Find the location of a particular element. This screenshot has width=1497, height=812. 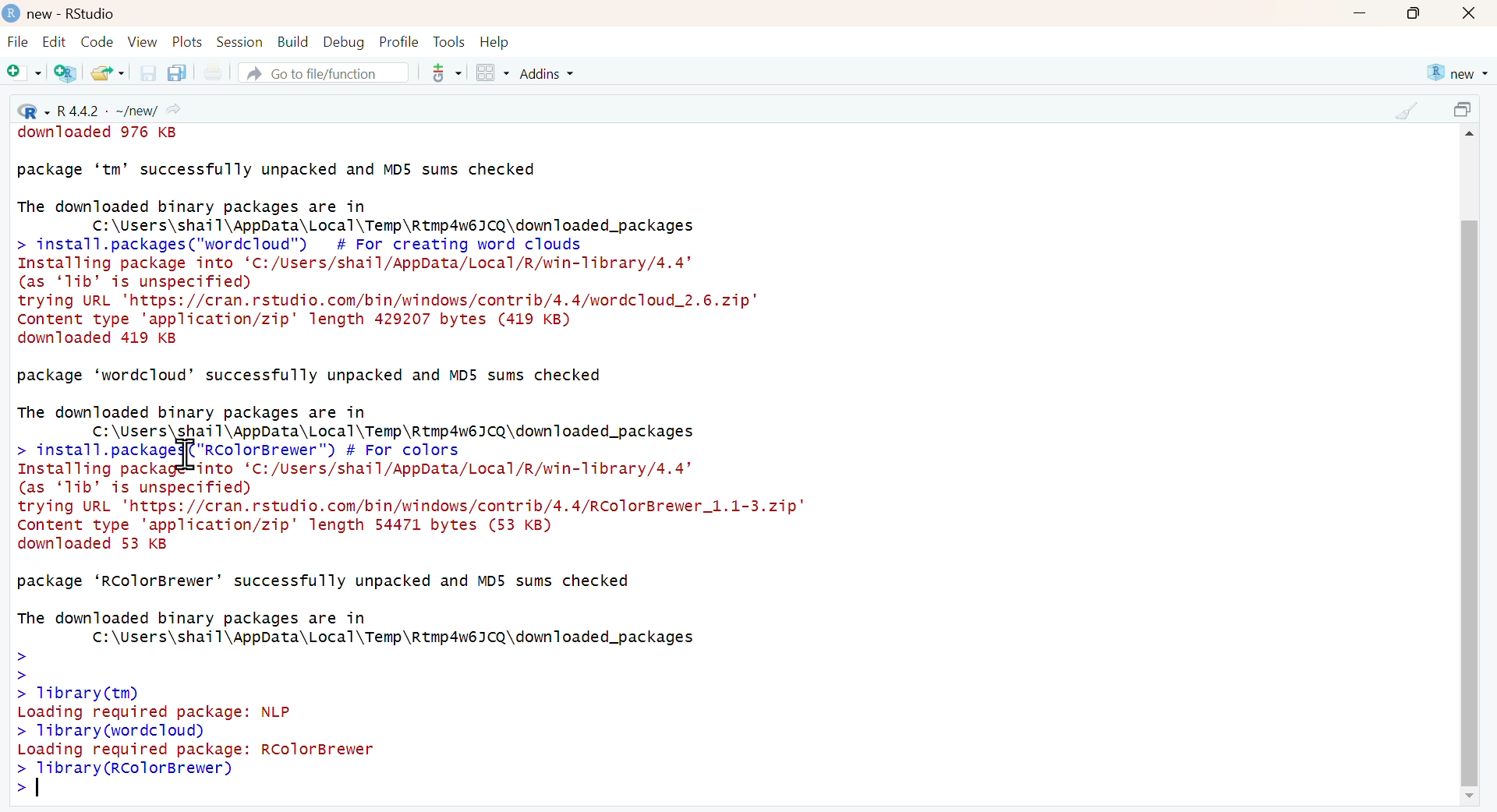

Build is located at coordinates (294, 42).